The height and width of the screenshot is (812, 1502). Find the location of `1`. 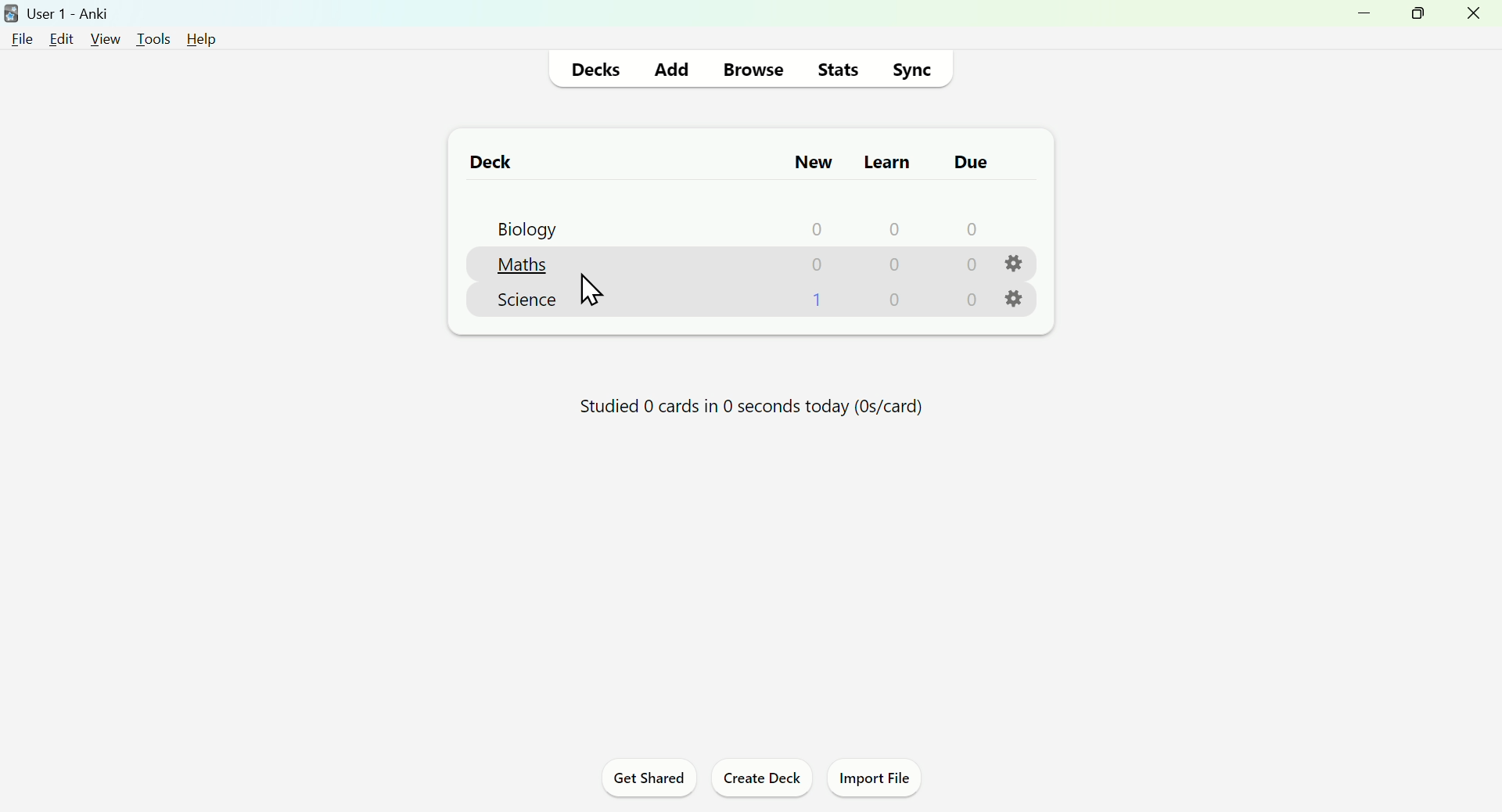

1 is located at coordinates (820, 299).